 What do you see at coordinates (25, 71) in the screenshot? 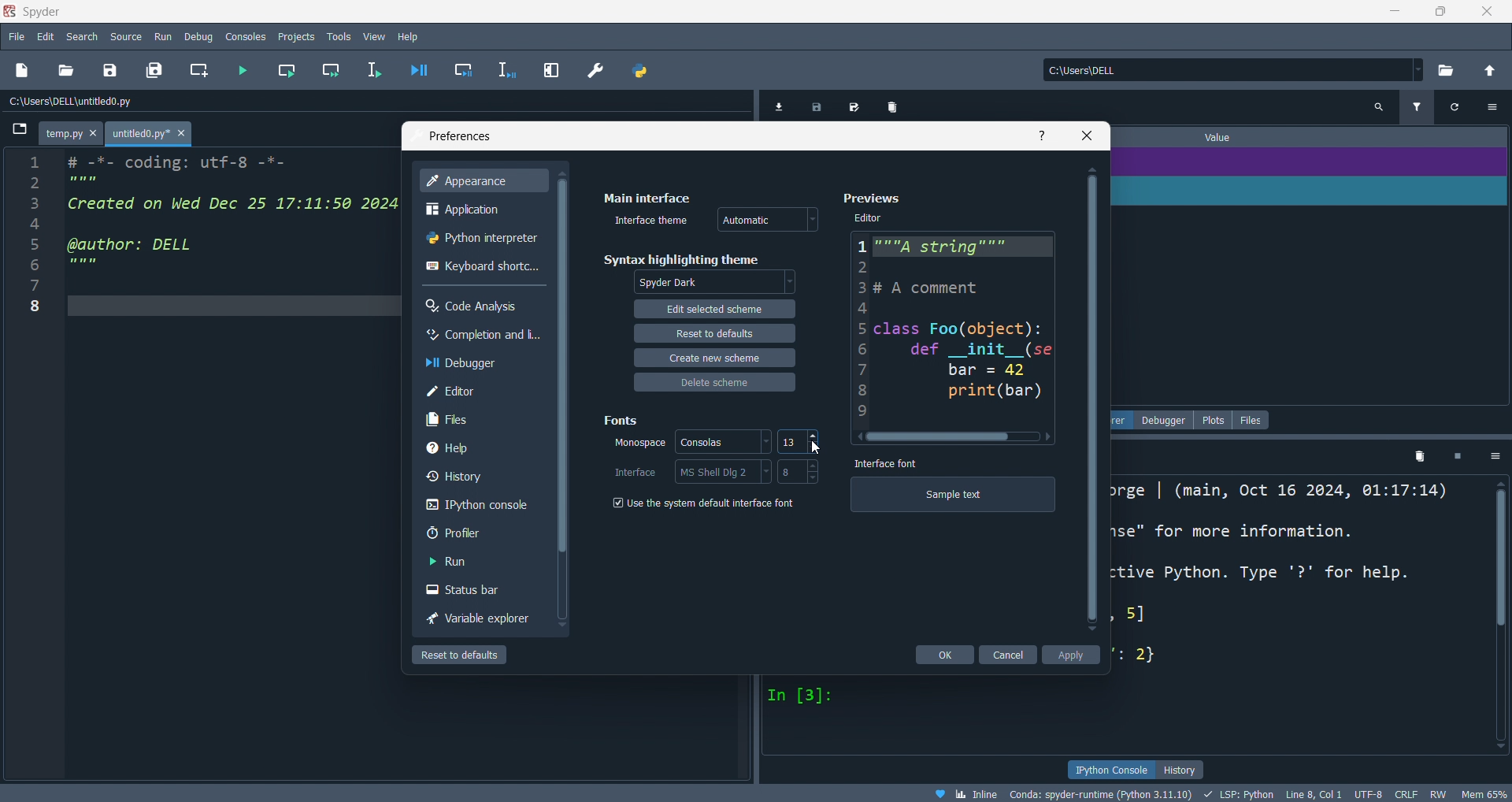
I see `new file` at bounding box center [25, 71].